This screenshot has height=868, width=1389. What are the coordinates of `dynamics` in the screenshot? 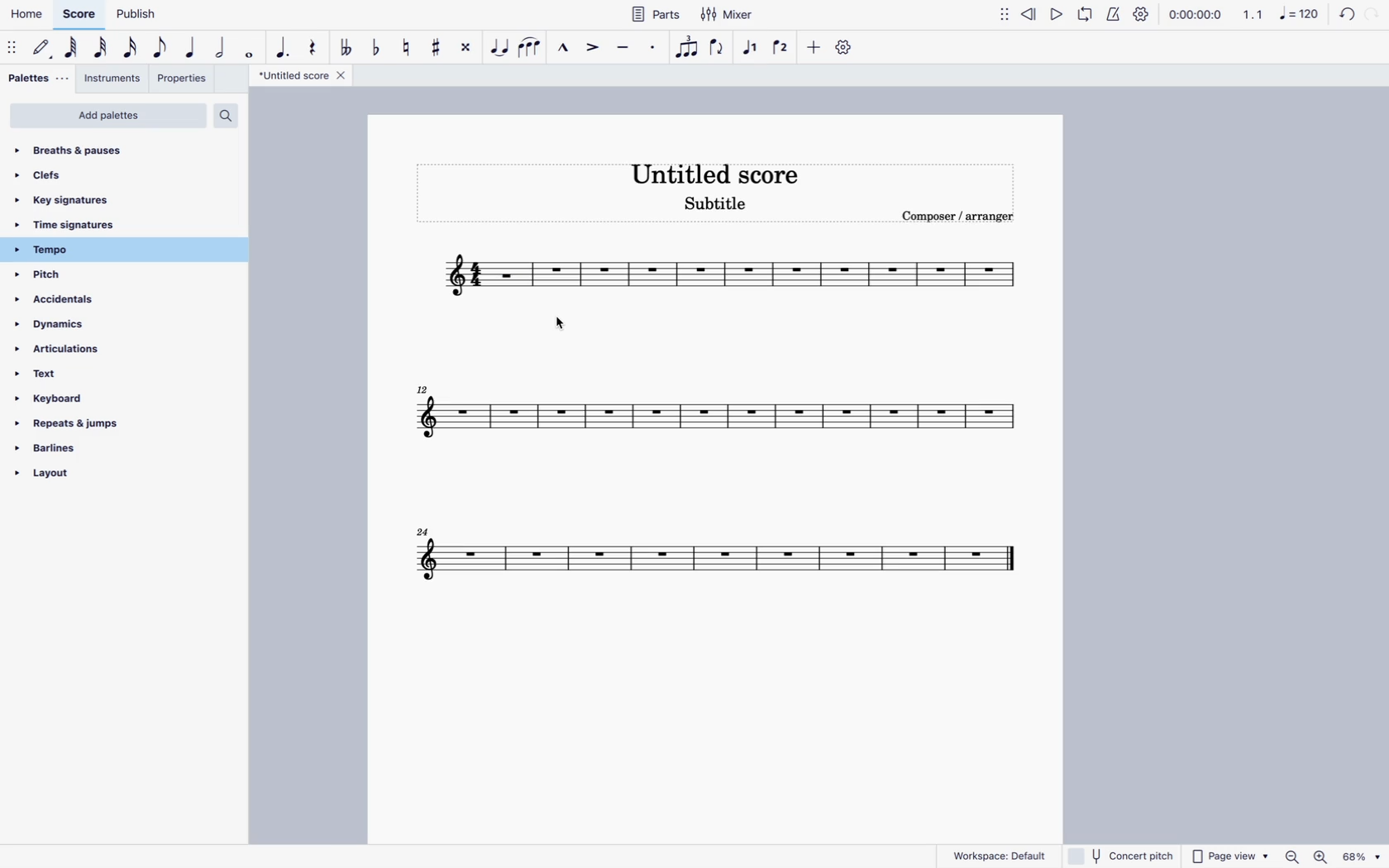 It's located at (91, 326).